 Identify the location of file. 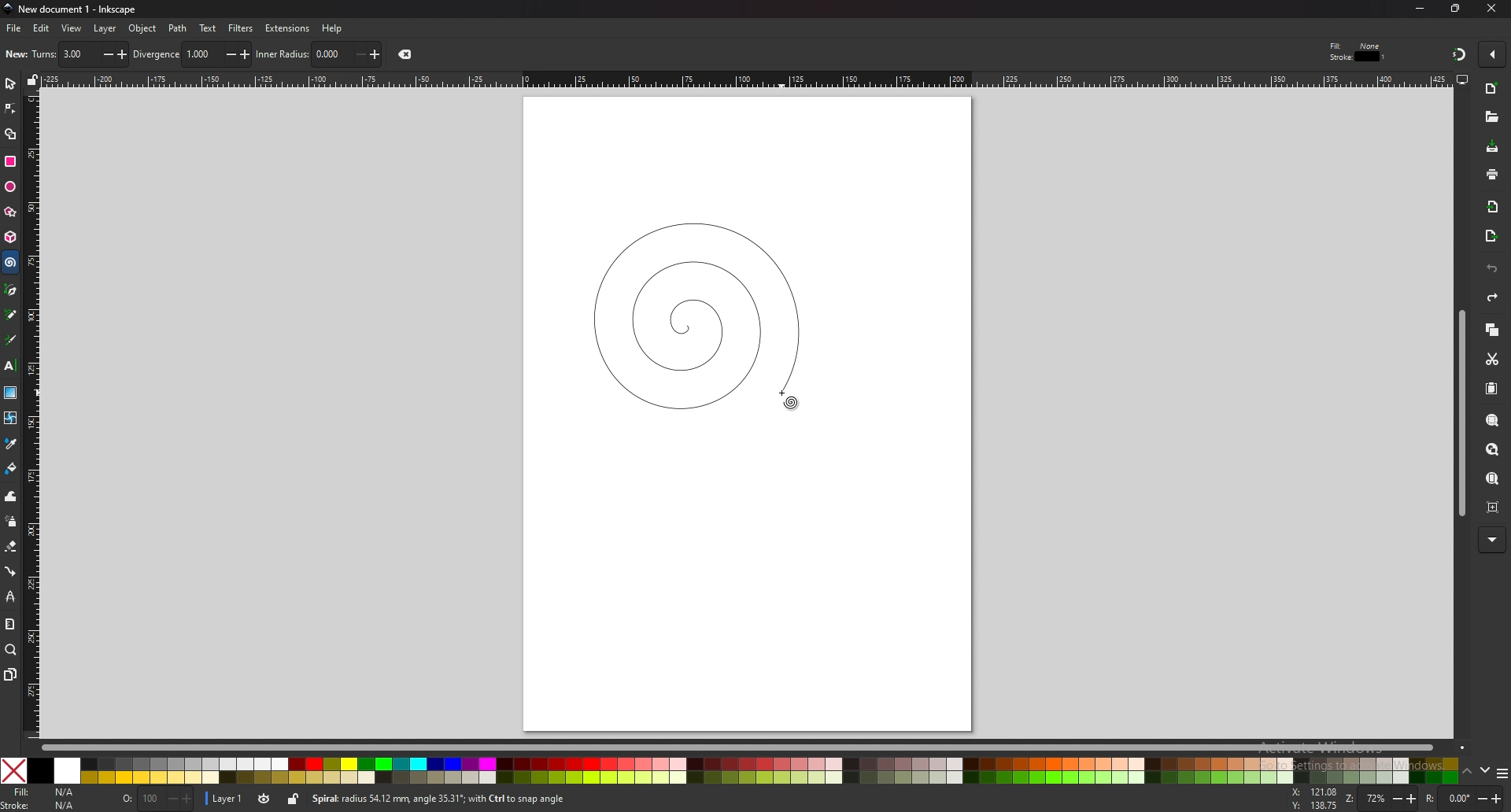
(14, 29).